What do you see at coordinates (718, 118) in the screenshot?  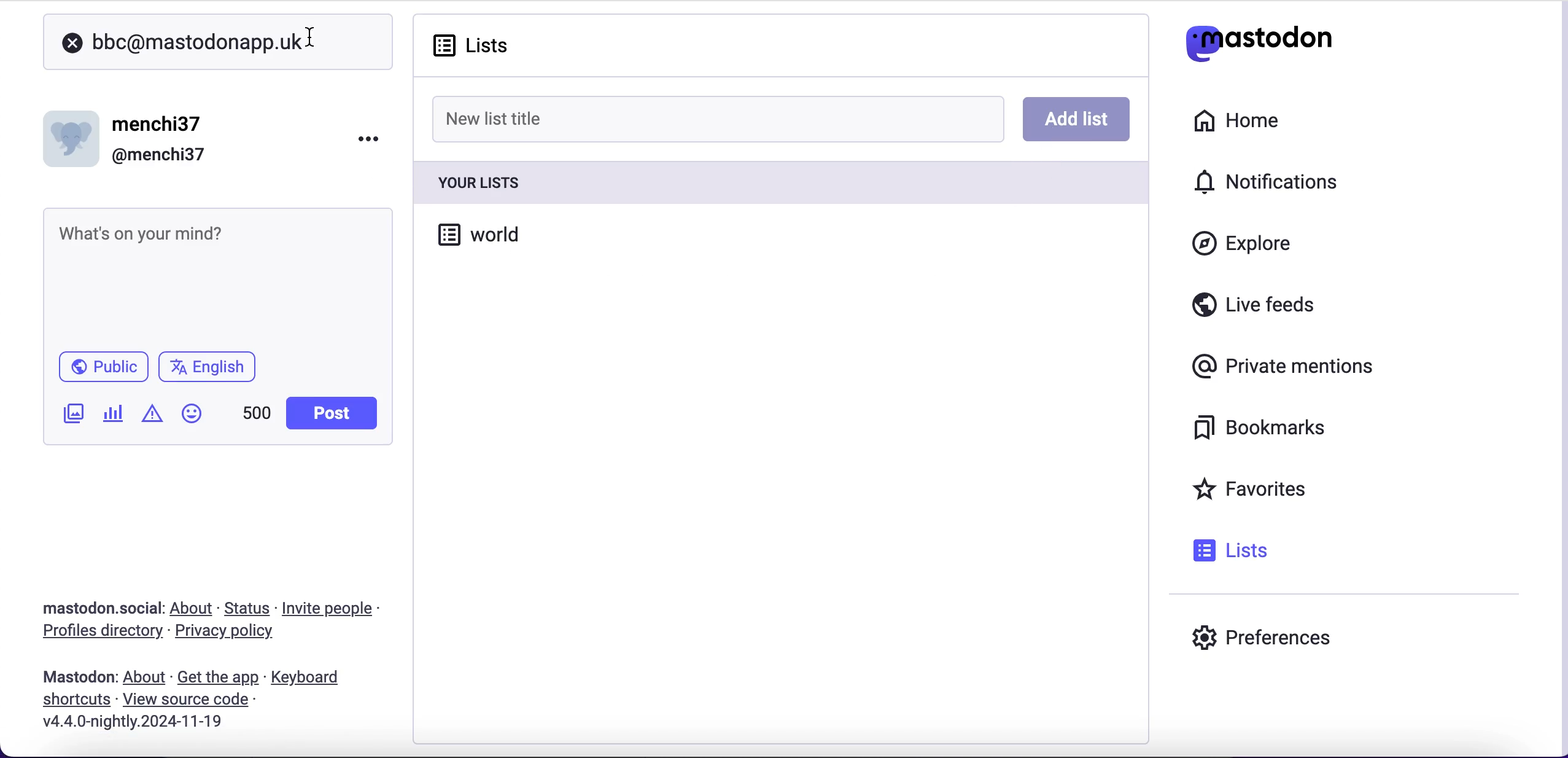 I see `new list title` at bounding box center [718, 118].